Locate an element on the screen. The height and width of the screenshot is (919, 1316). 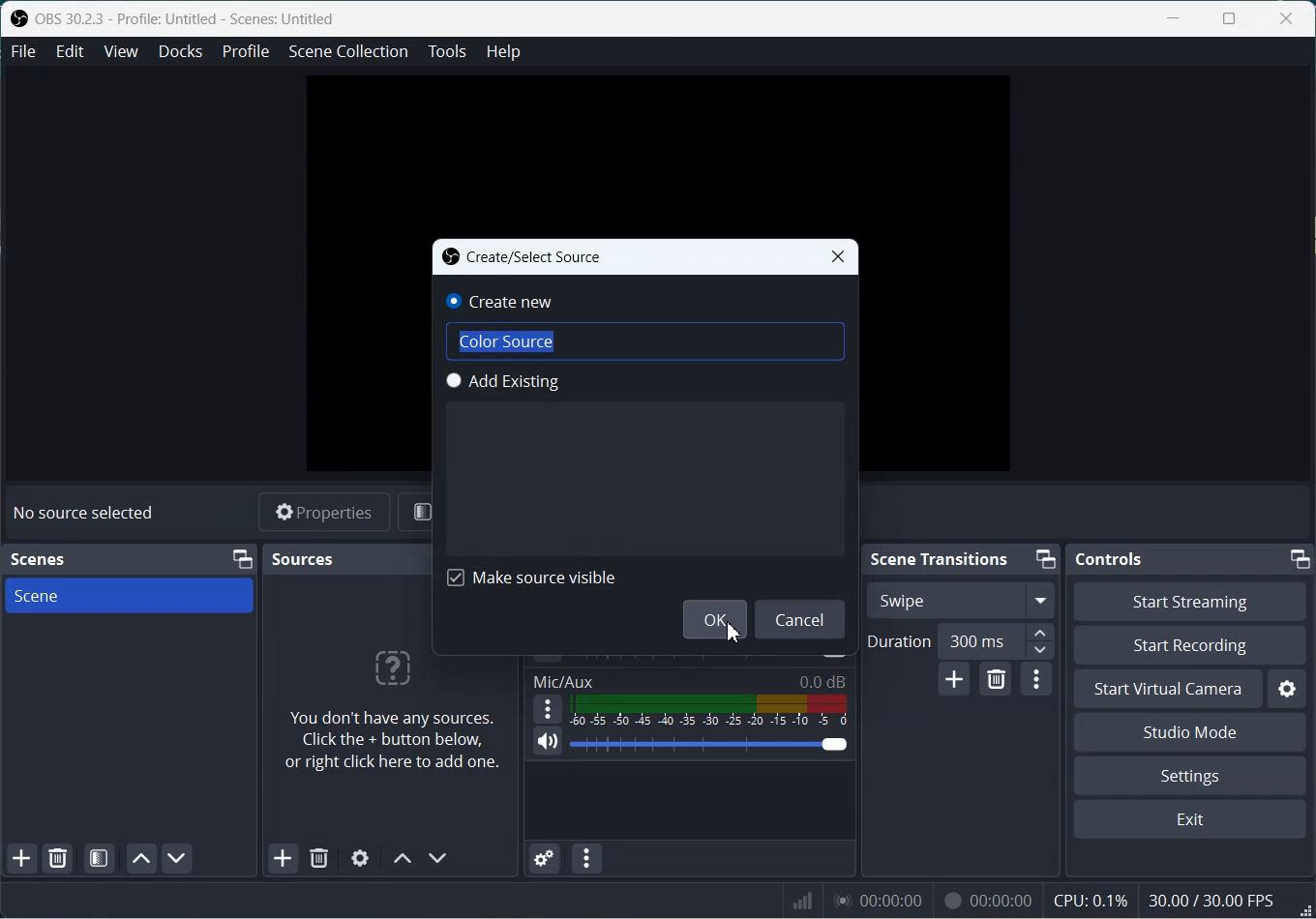
Docks is located at coordinates (181, 51).